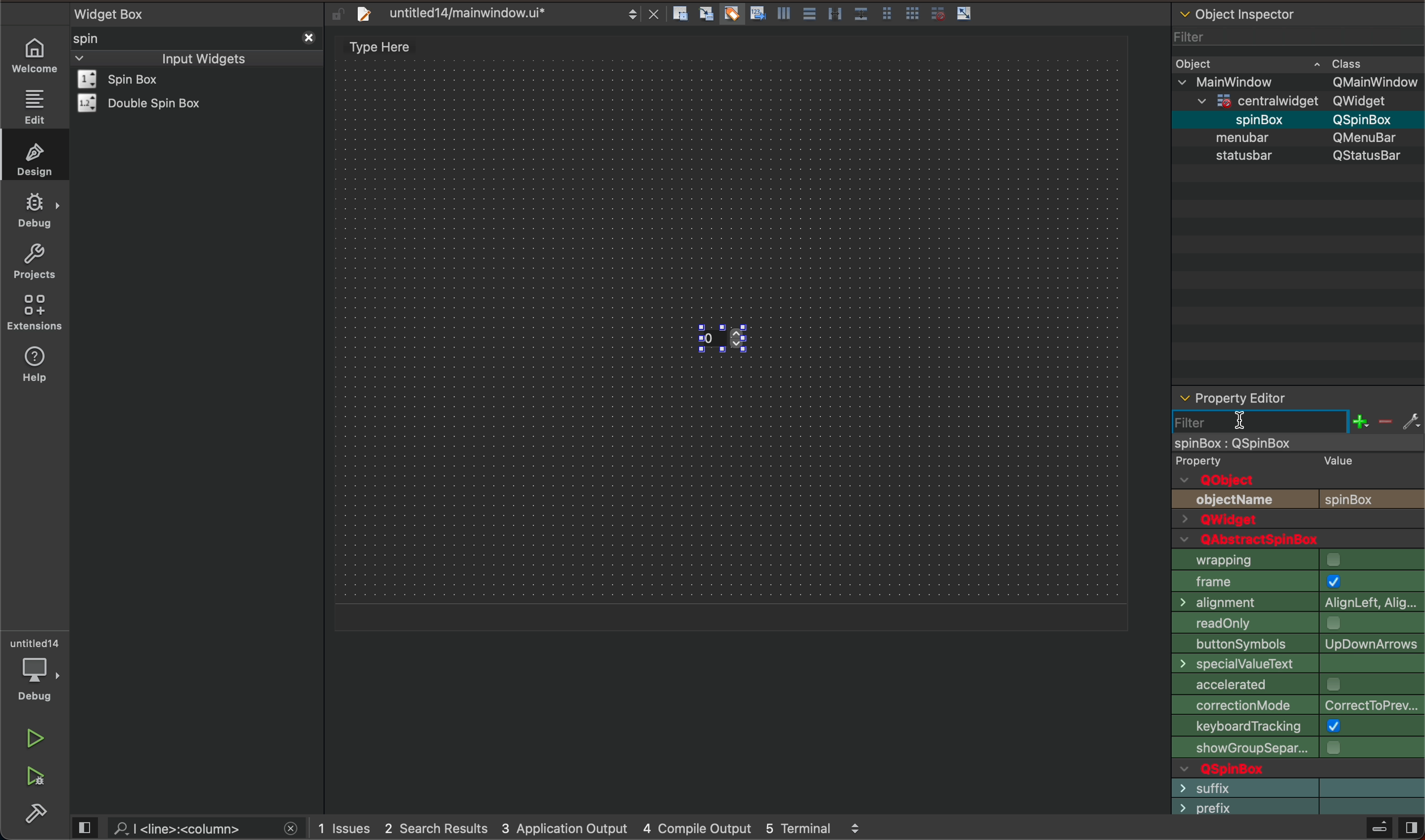 This screenshot has height=840, width=1425. What do you see at coordinates (35, 211) in the screenshot?
I see `debug` at bounding box center [35, 211].